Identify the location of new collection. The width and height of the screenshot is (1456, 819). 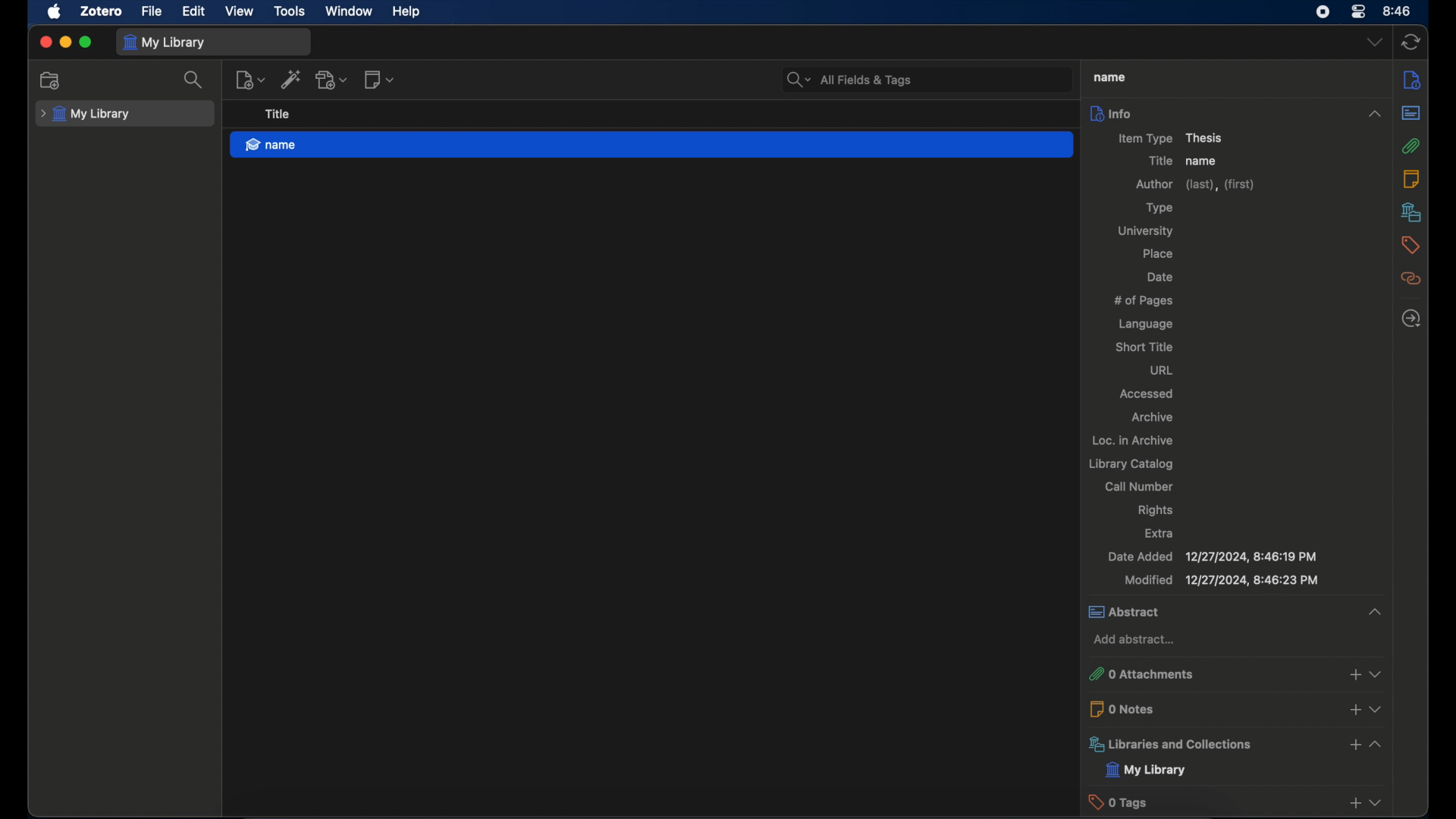
(52, 80).